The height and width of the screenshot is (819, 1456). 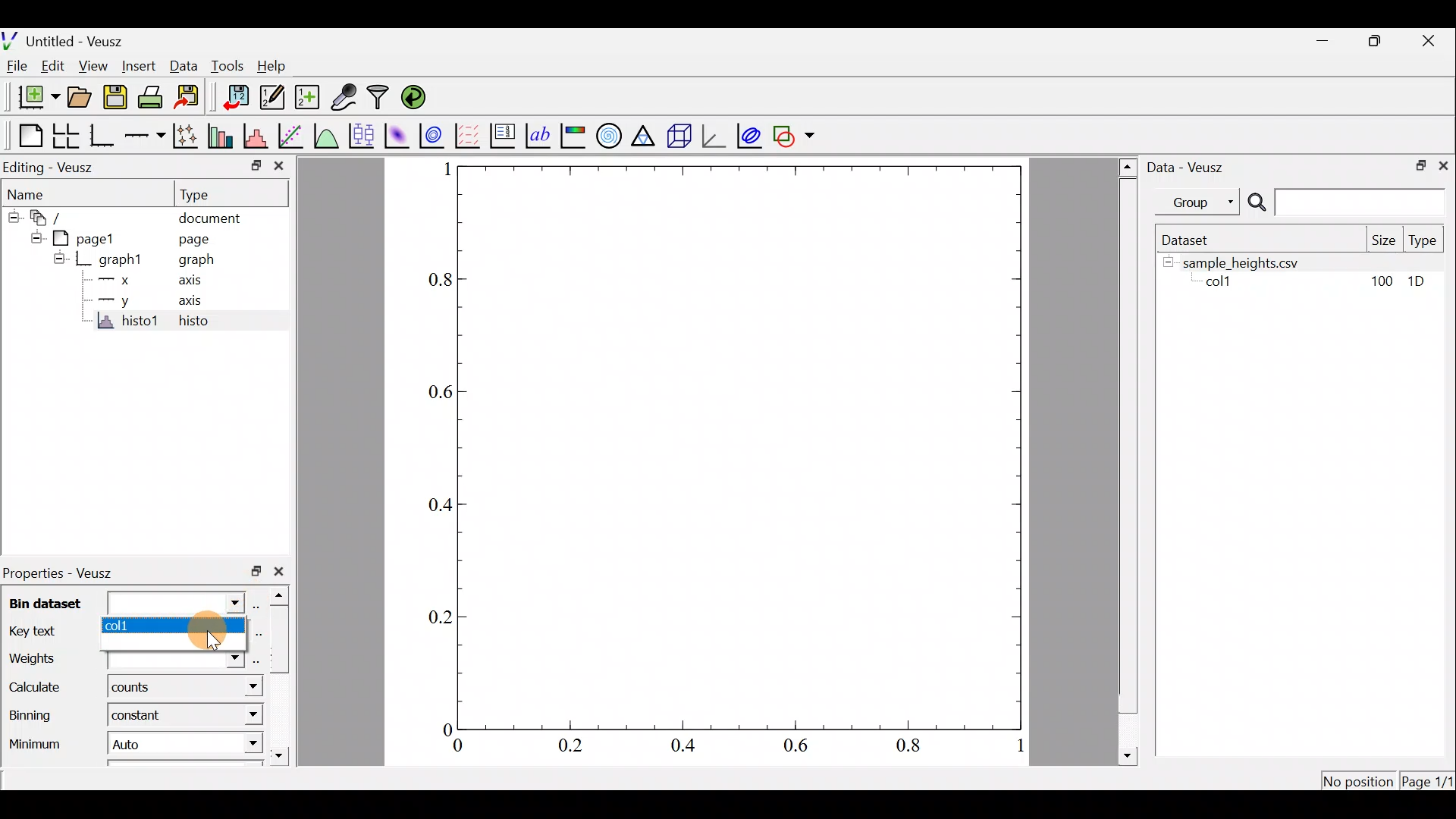 What do you see at coordinates (1125, 460) in the screenshot?
I see `scroll bar` at bounding box center [1125, 460].